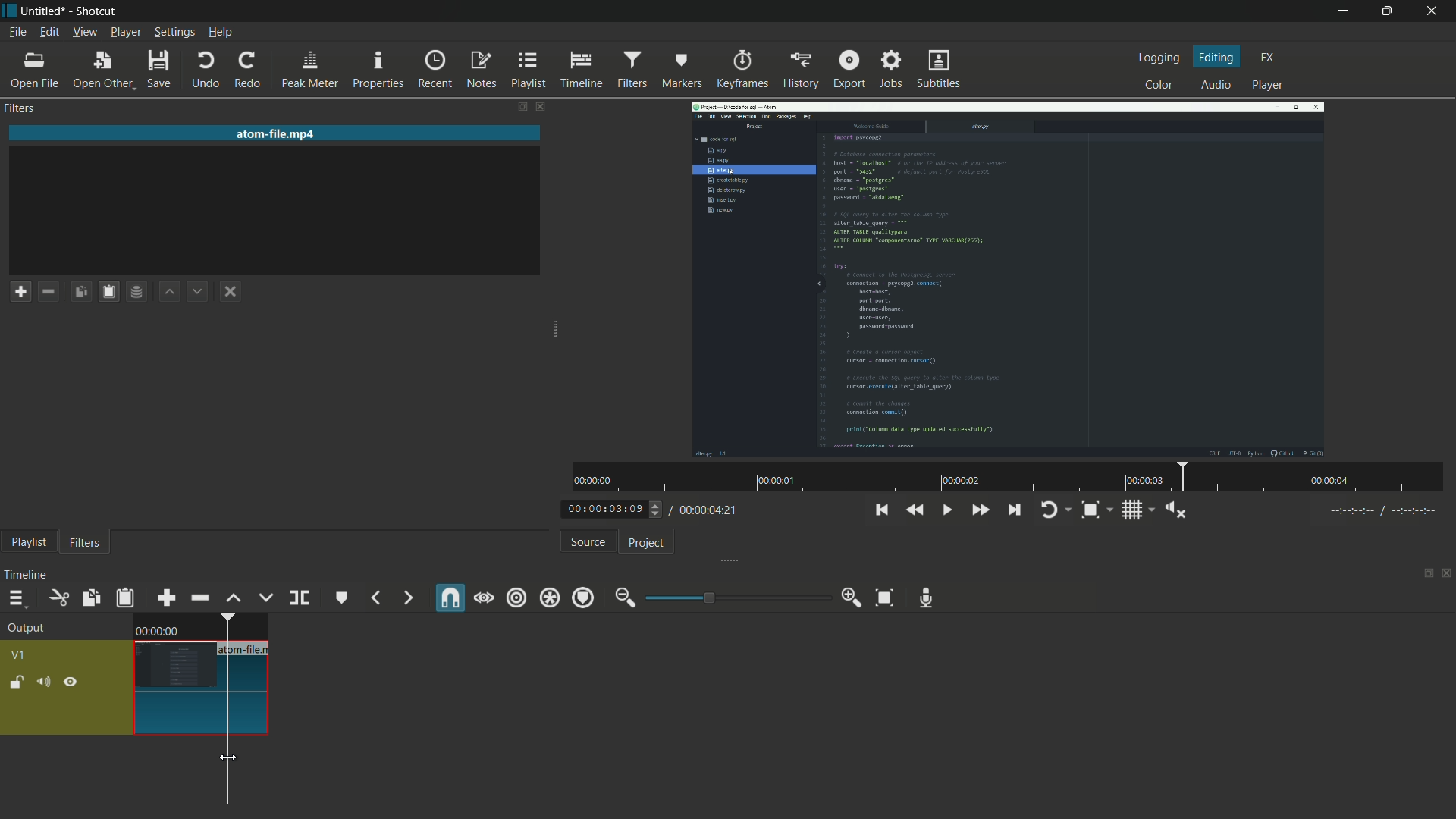 This screenshot has width=1456, height=819. What do you see at coordinates (979, 510) in the screenshot?
I see `quickly play forward` at bounding box center [979, 510].